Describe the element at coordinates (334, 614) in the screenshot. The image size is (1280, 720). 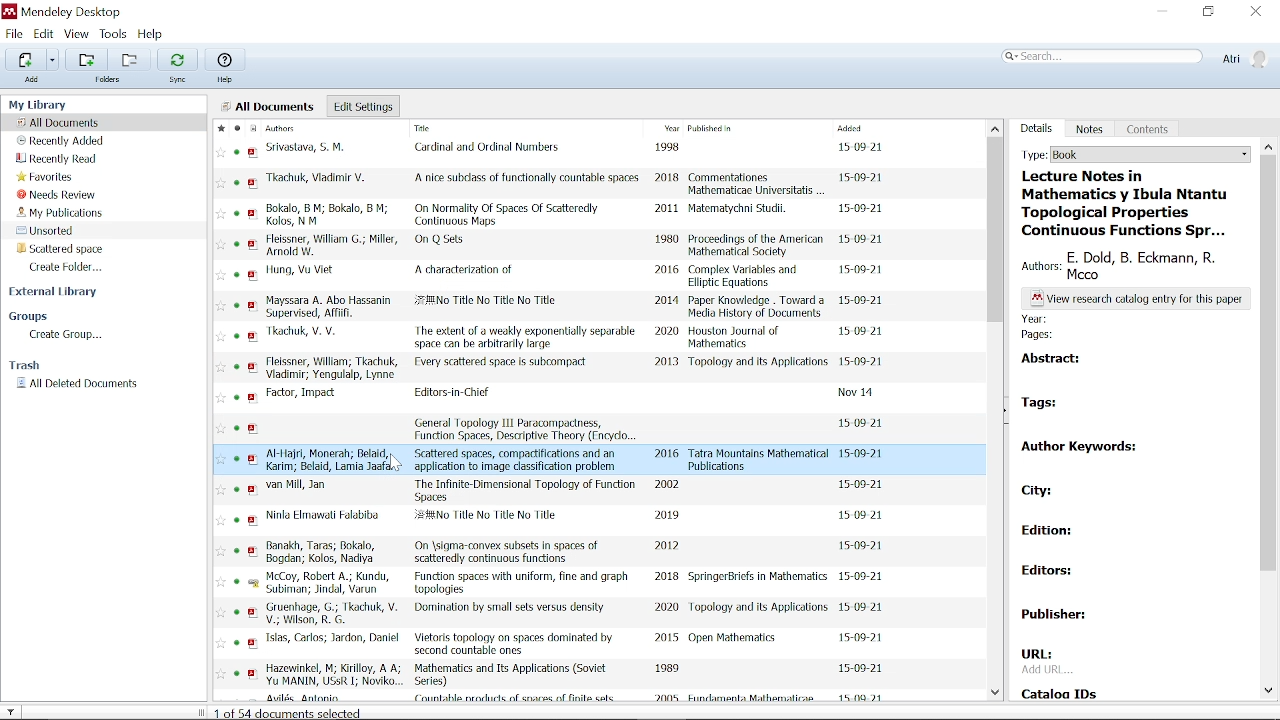
I see `authors` at that location.